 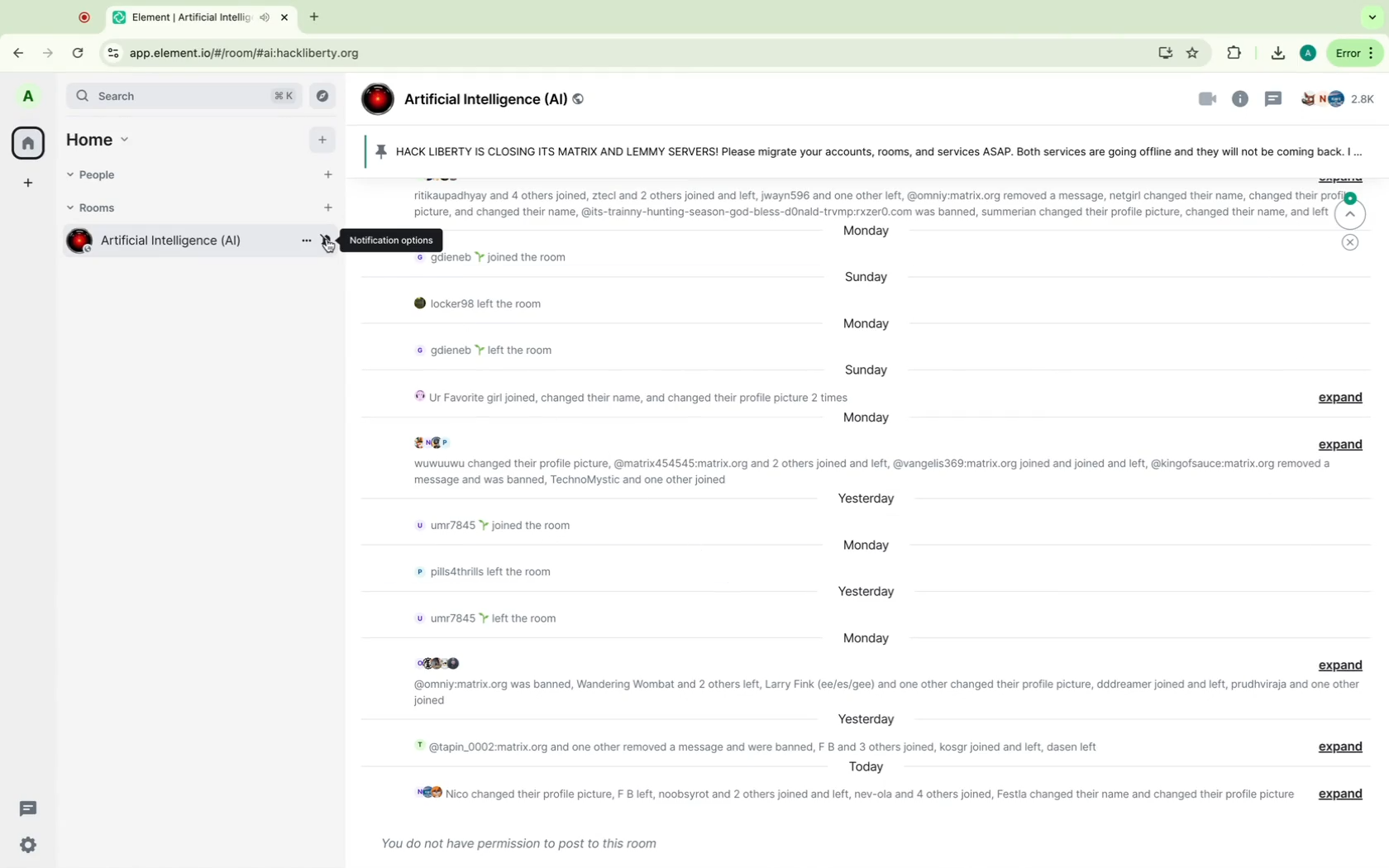 What do you see at coordinates (1372, 18) in the screenshot?
I see `search tabs` at bounding box center [1372, 18].